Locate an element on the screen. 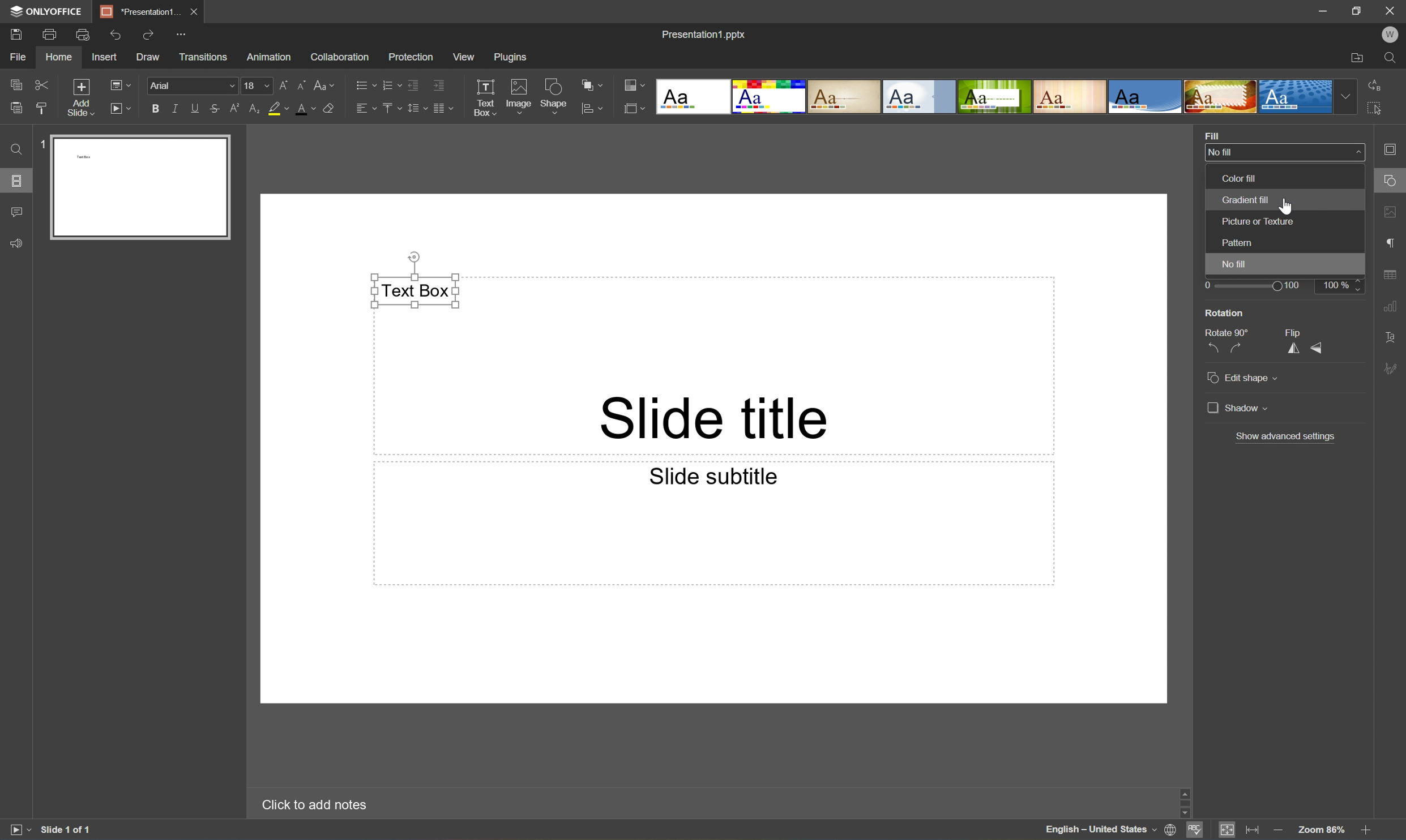 This screenshot has width=1406, height=840. Numbering is located at coordinates (387, 84).